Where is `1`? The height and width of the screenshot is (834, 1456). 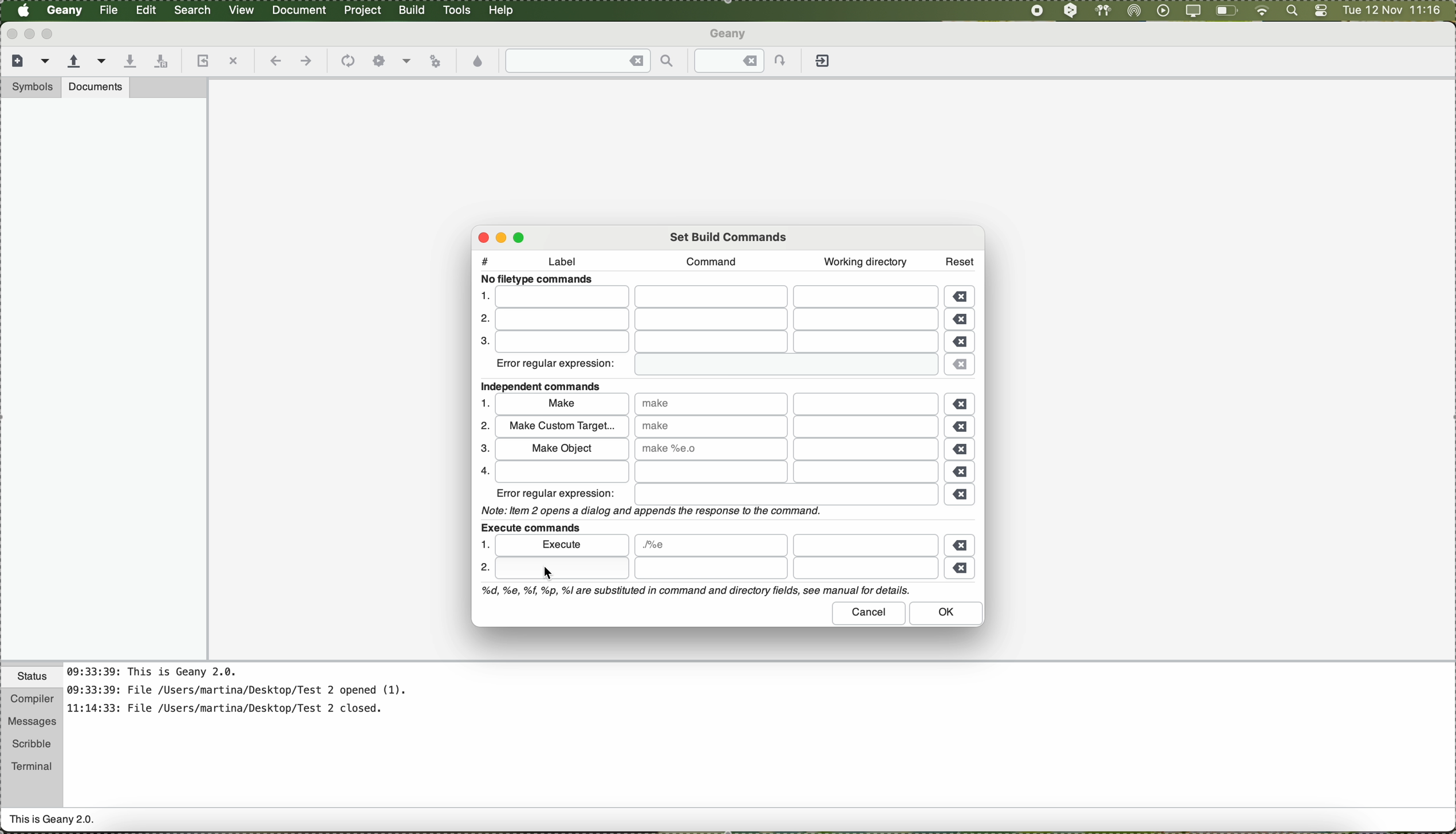 1 is located at coordinates (483, 544).